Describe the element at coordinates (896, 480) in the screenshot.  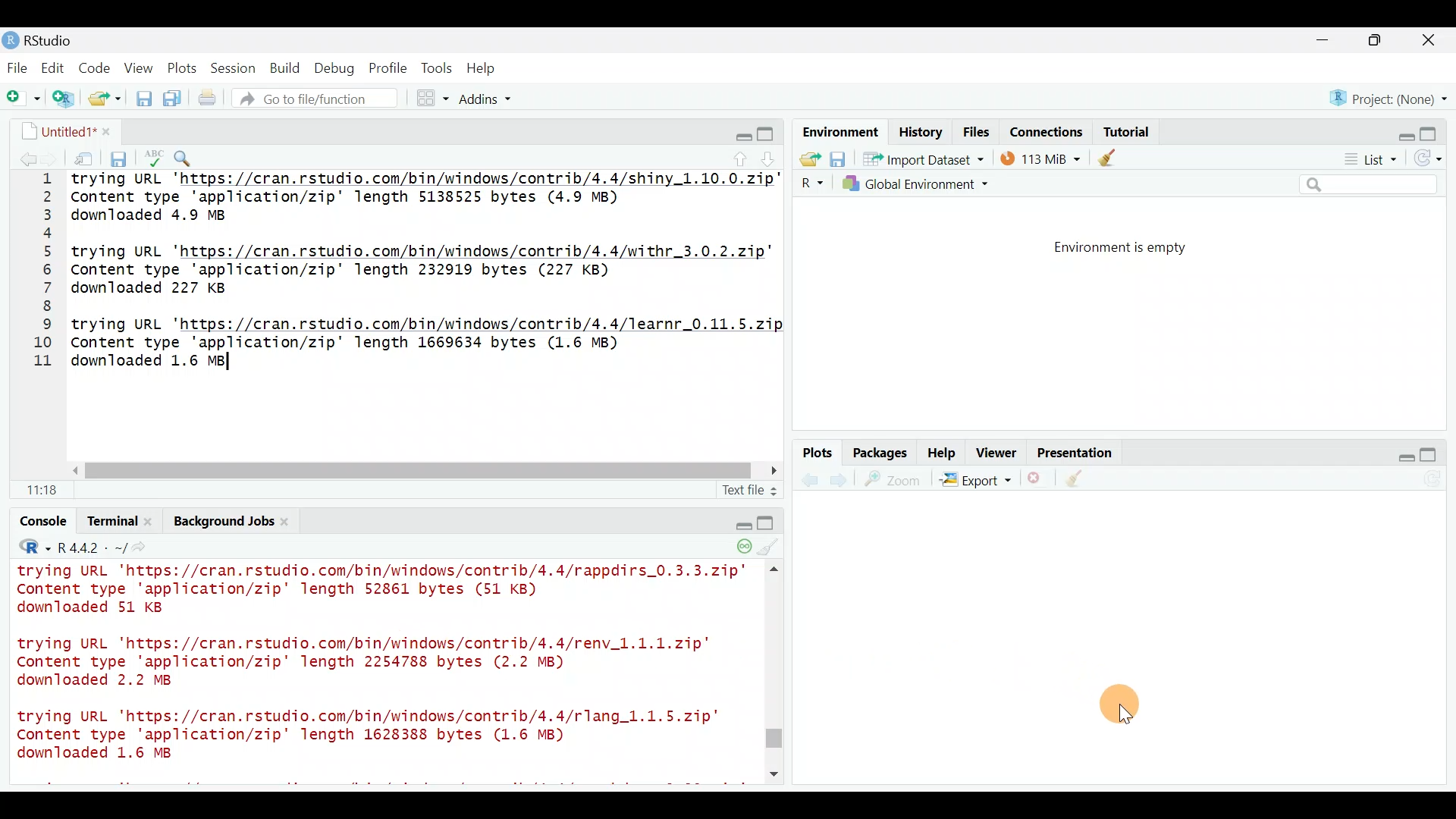
I see `zoom` at that location.